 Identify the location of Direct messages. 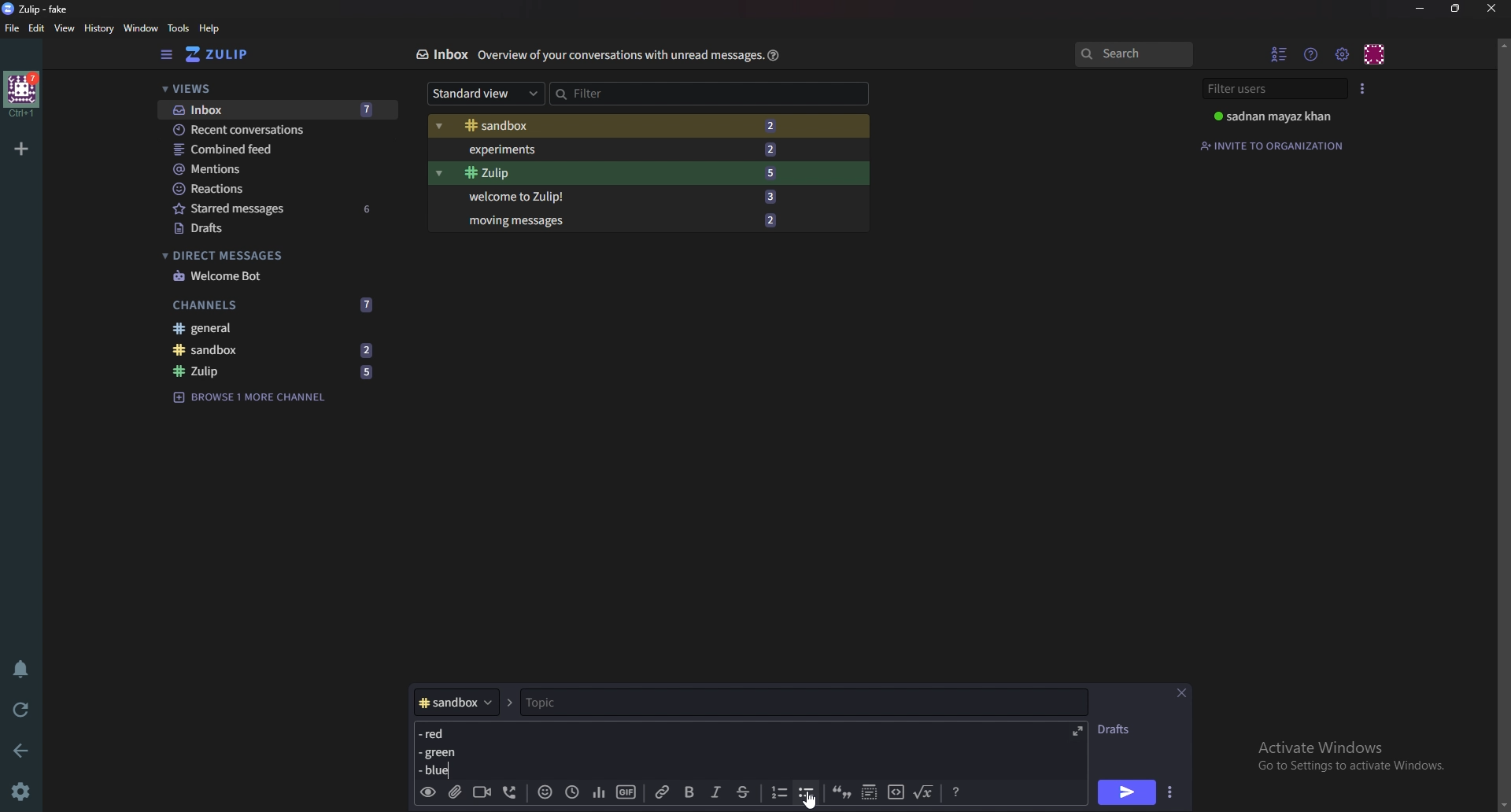
(271, 256).